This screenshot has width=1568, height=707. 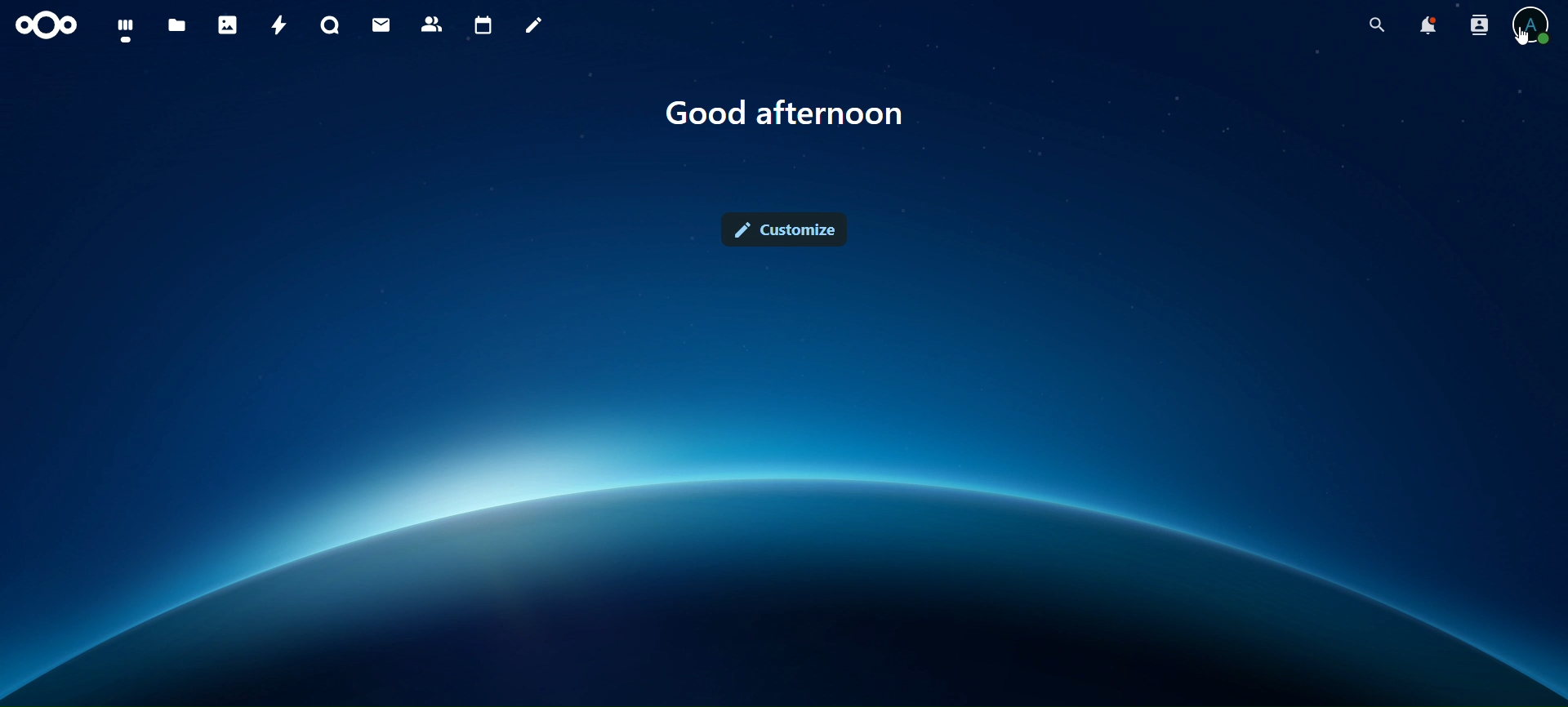 I want to click on calendar, so click(x=484, y=26).